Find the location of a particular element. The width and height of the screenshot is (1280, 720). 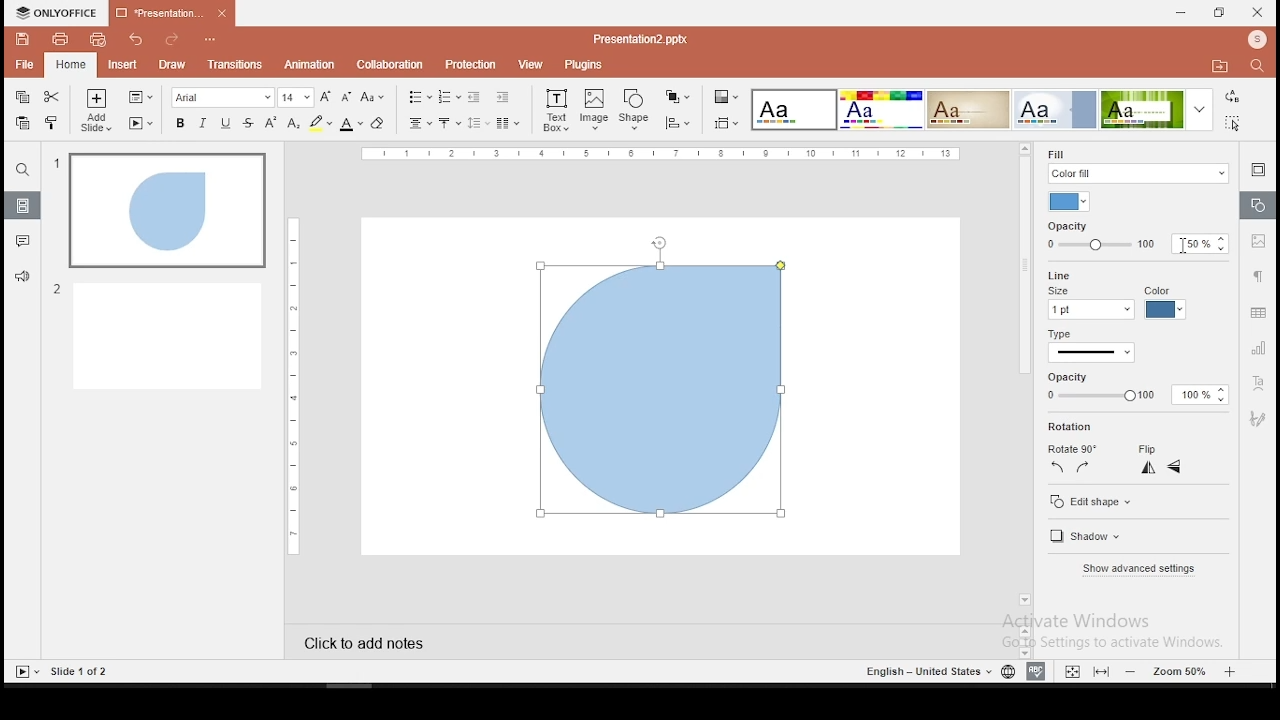

theme is located at coordinates (968, 108).